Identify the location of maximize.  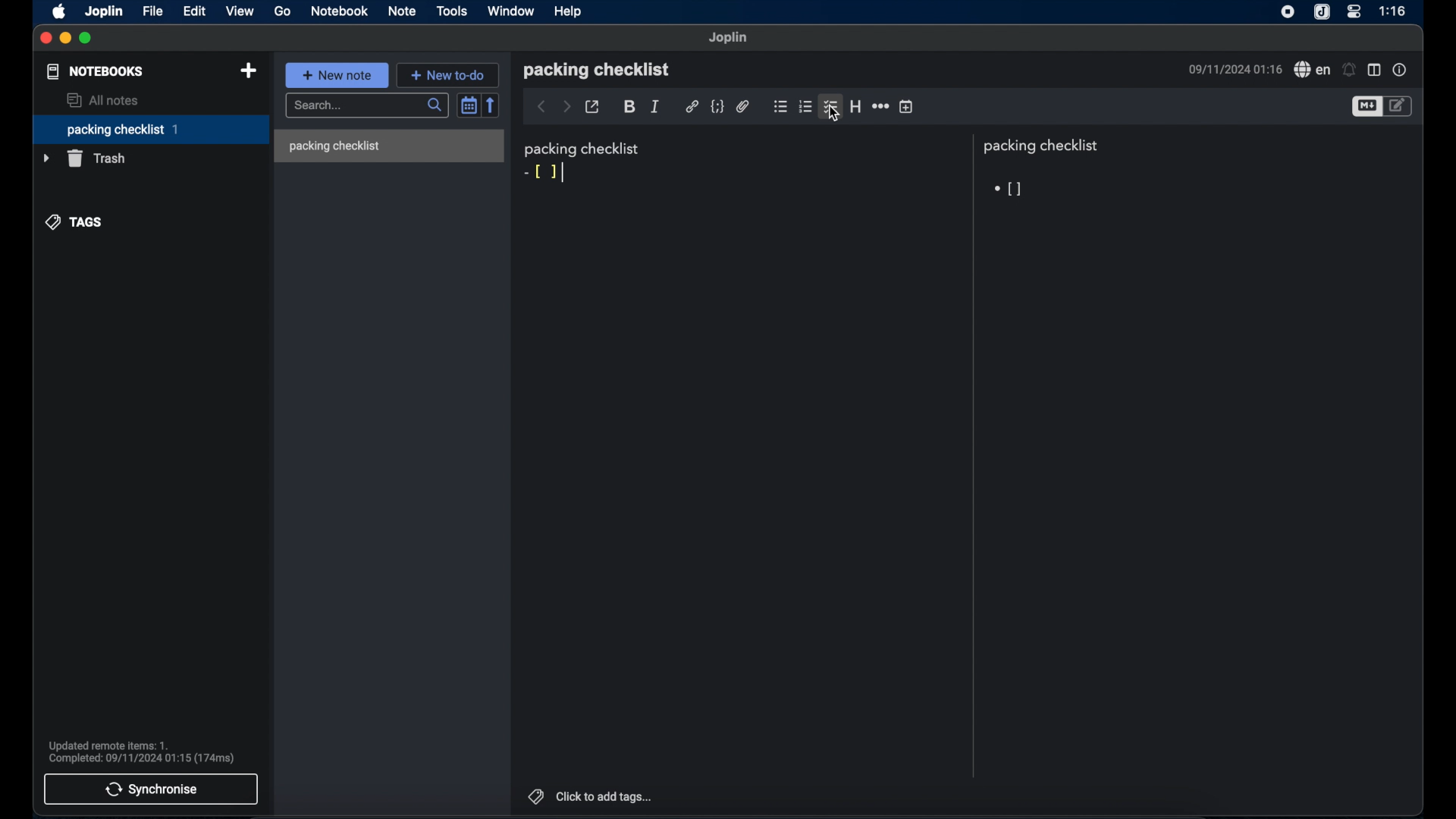
(86, 39).